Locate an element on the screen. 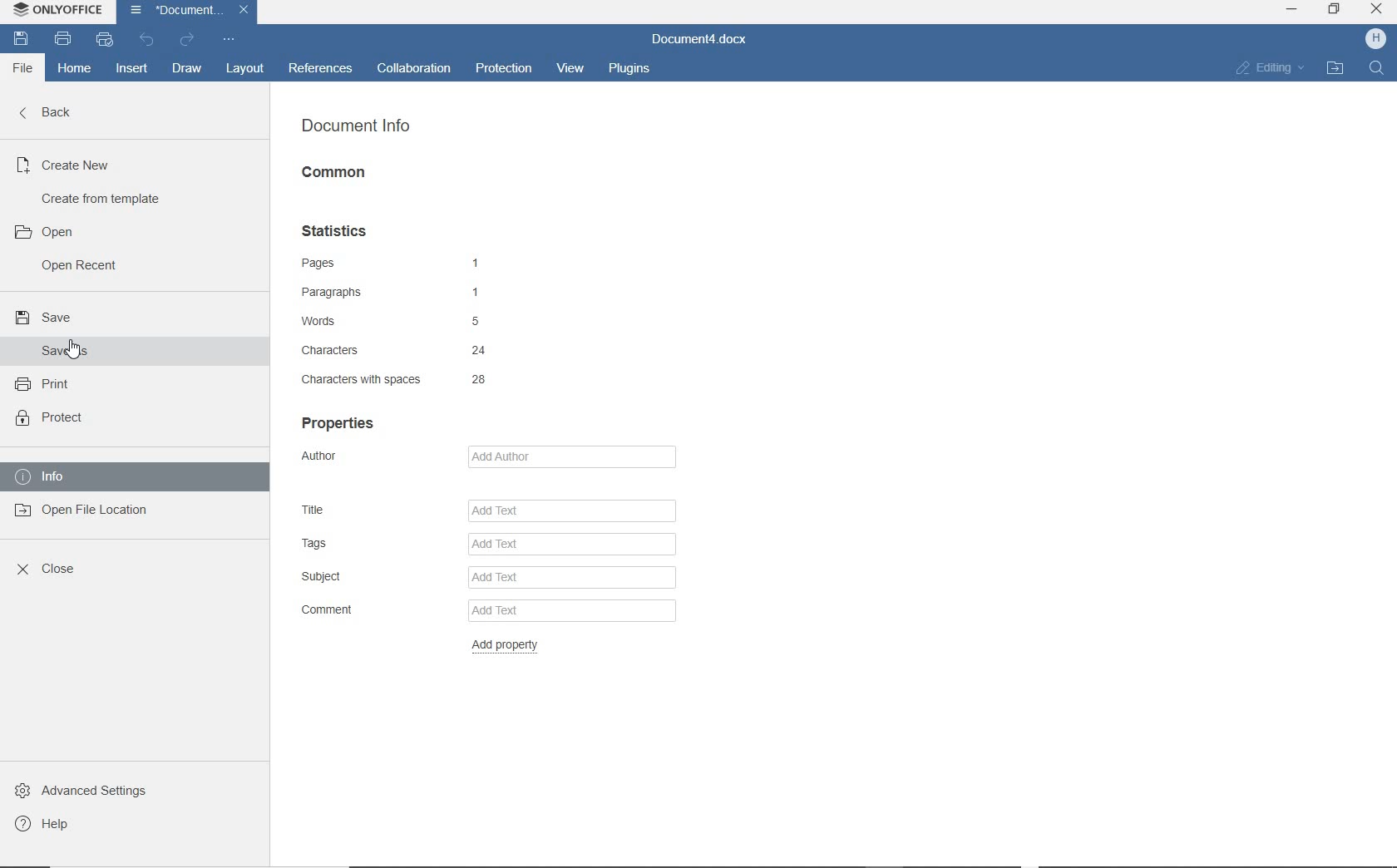  tags is located at coordinates (368, 545).